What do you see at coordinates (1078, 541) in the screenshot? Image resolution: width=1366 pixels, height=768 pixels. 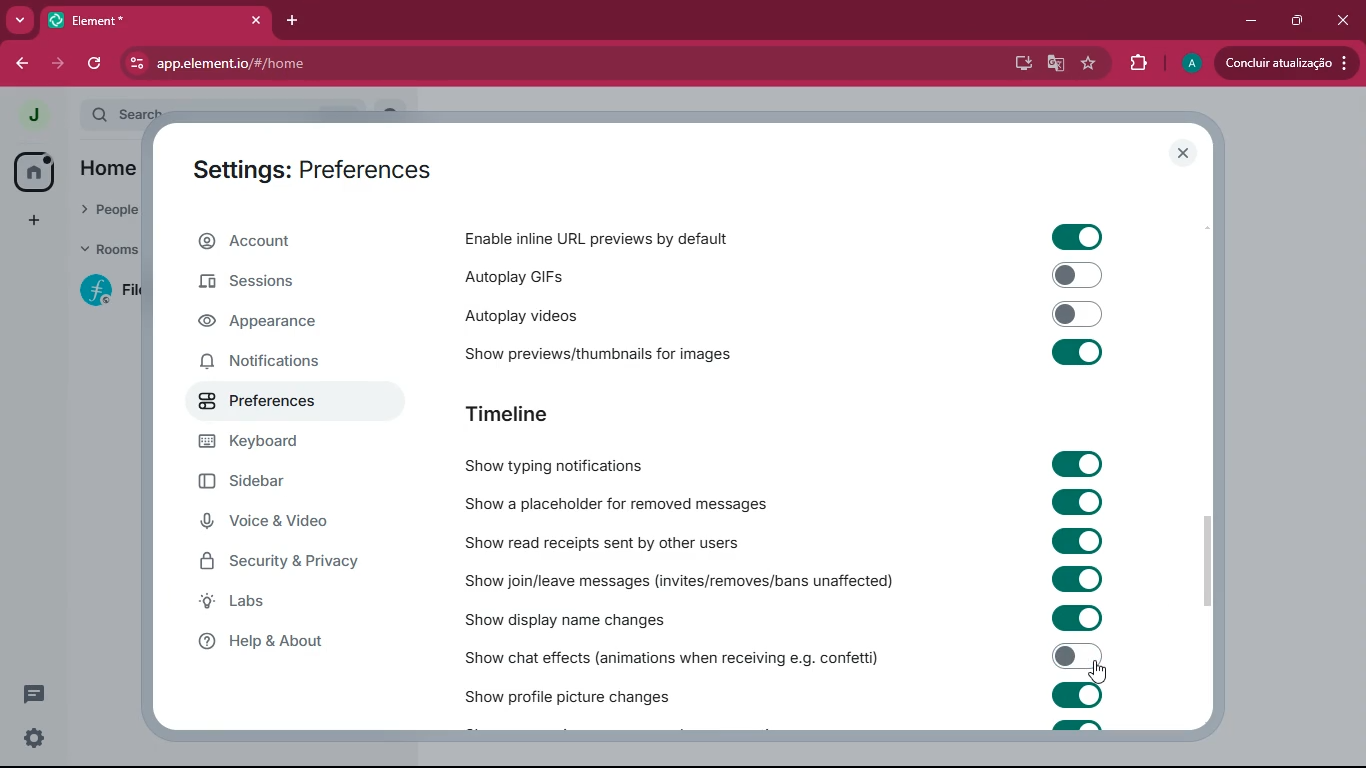 I see `toggle on/off` at bounding box center [1078, 541].